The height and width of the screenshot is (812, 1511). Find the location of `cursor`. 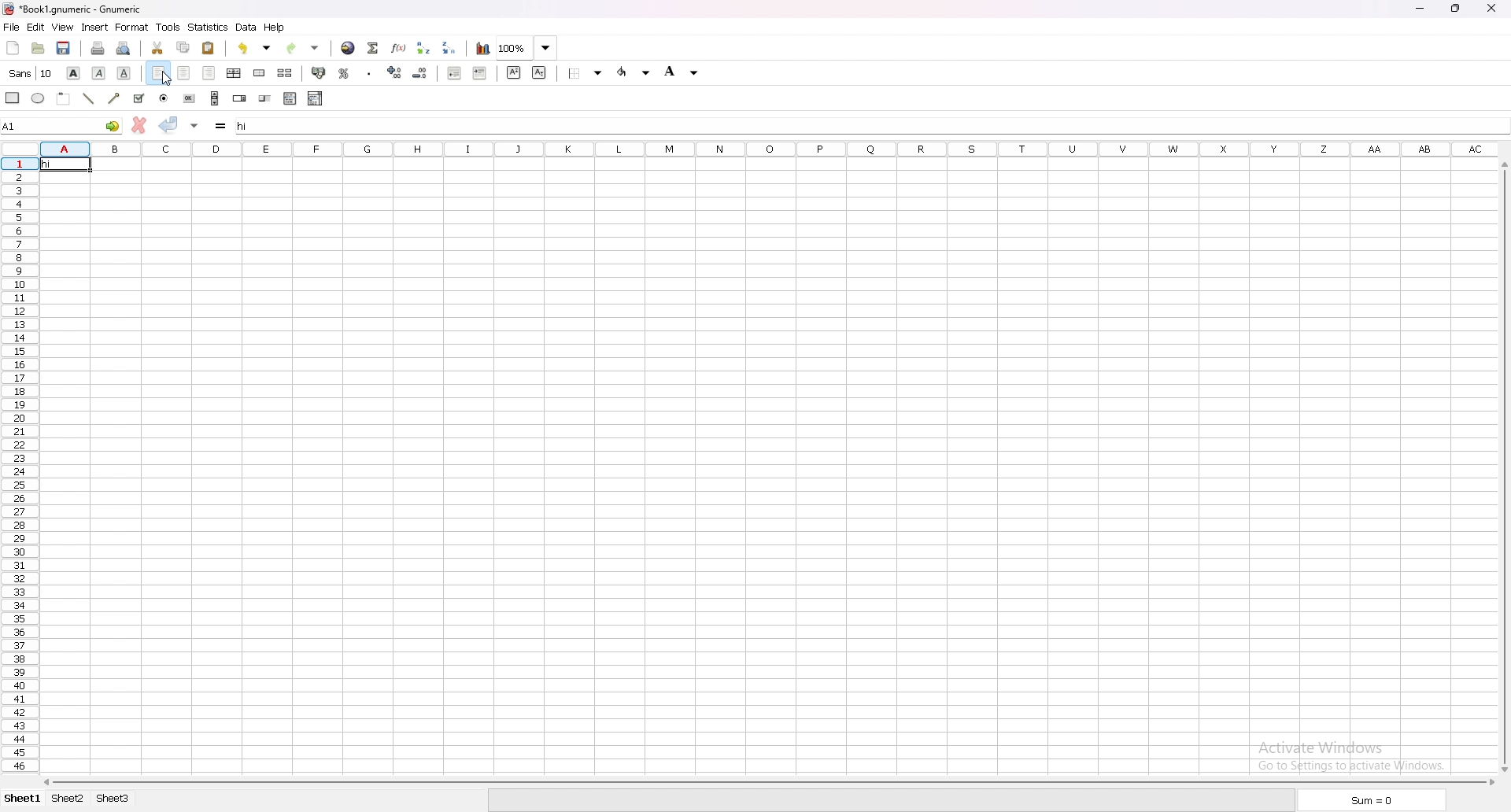

cursor is located at coordinates (167, 79).